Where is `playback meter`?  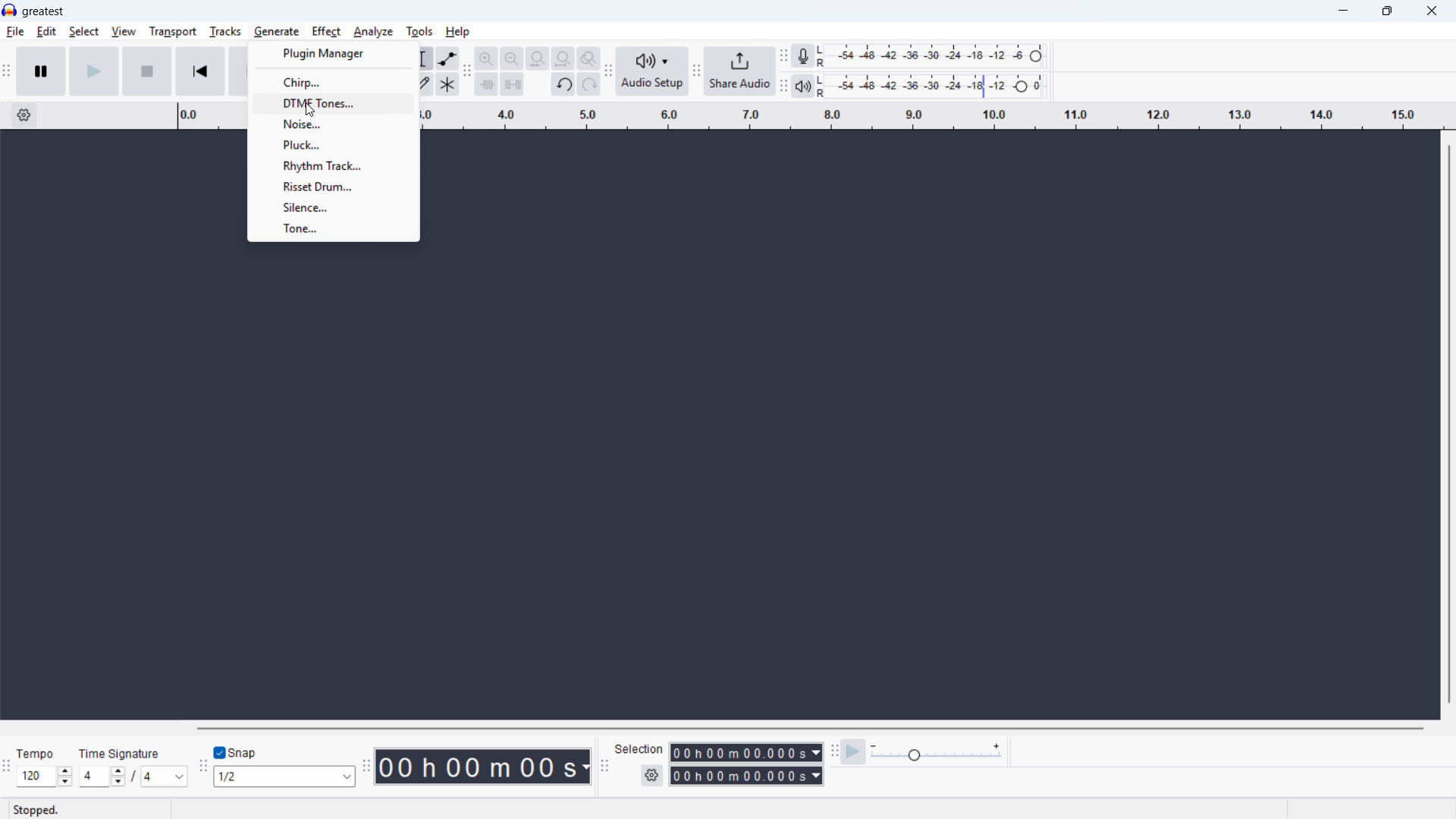
playback meter is located at coordinates (802, 86).